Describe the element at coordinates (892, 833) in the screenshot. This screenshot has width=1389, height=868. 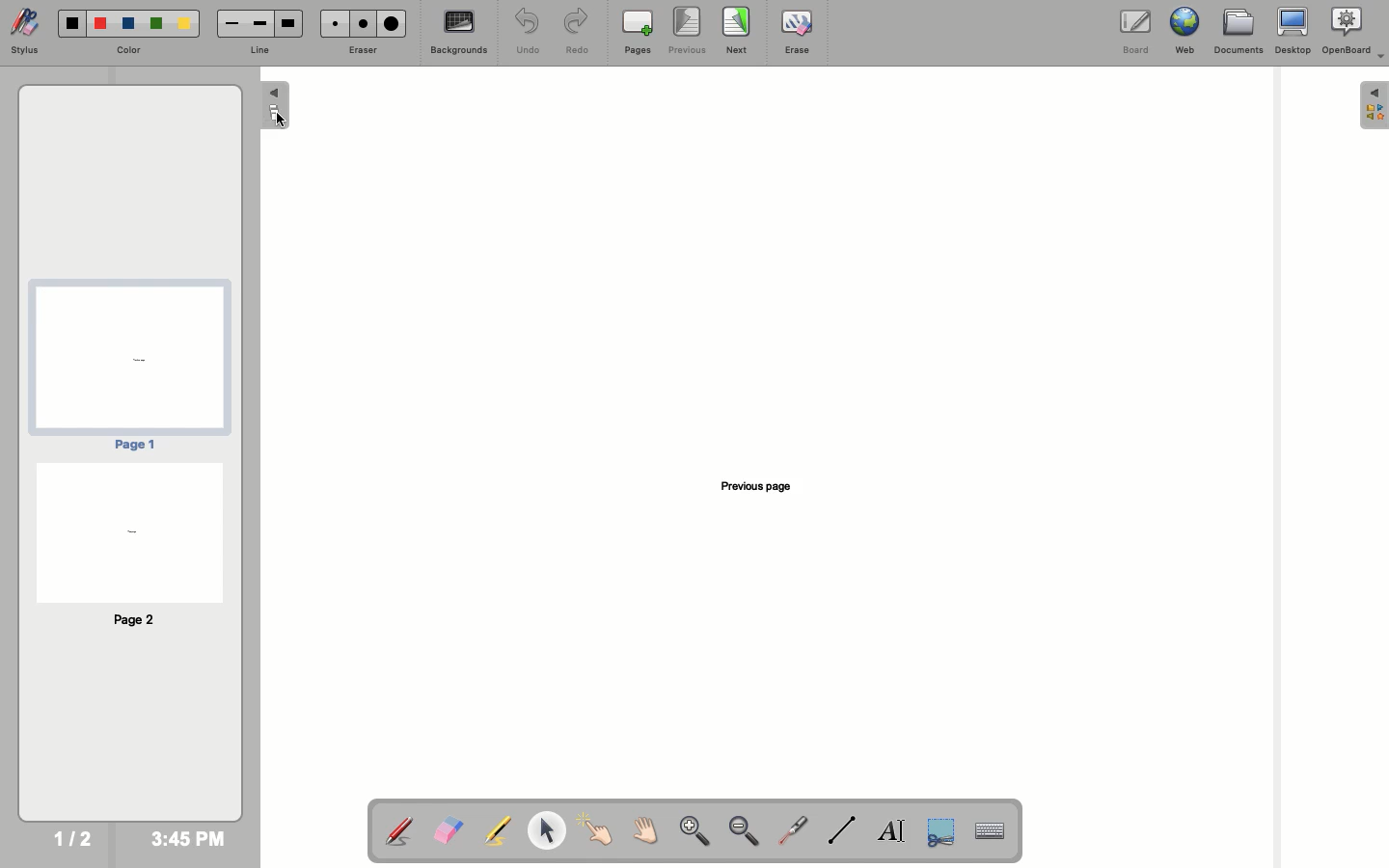
I see `Write text` at that location.